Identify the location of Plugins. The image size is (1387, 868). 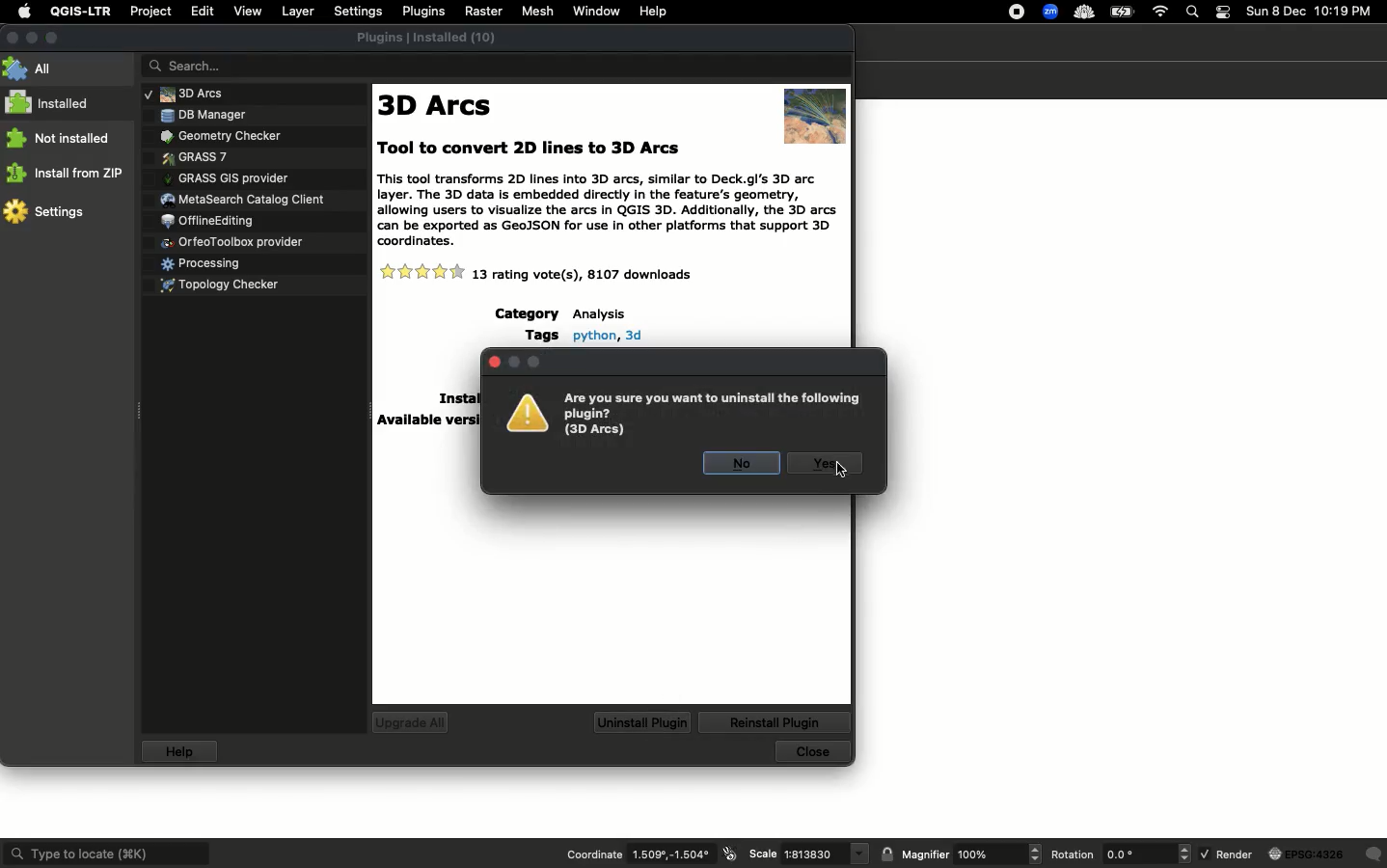
(196, 155).